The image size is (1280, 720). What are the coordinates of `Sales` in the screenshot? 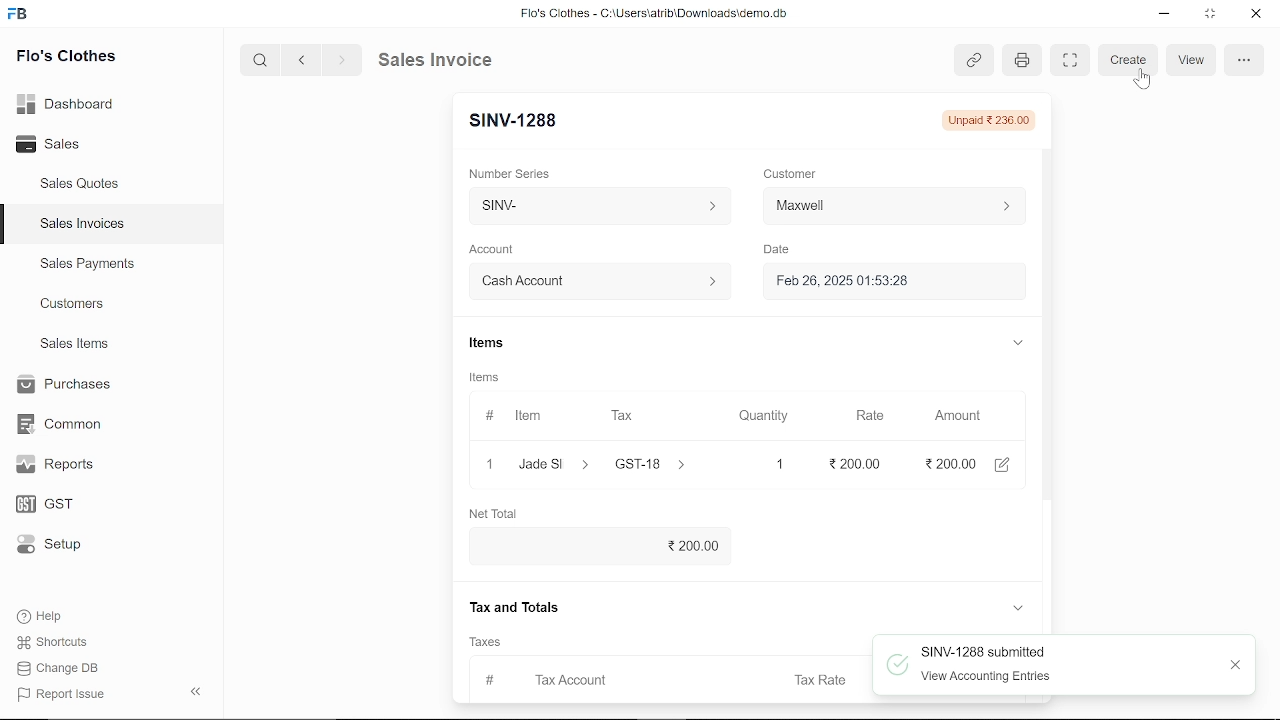 It's located at (70, 145).